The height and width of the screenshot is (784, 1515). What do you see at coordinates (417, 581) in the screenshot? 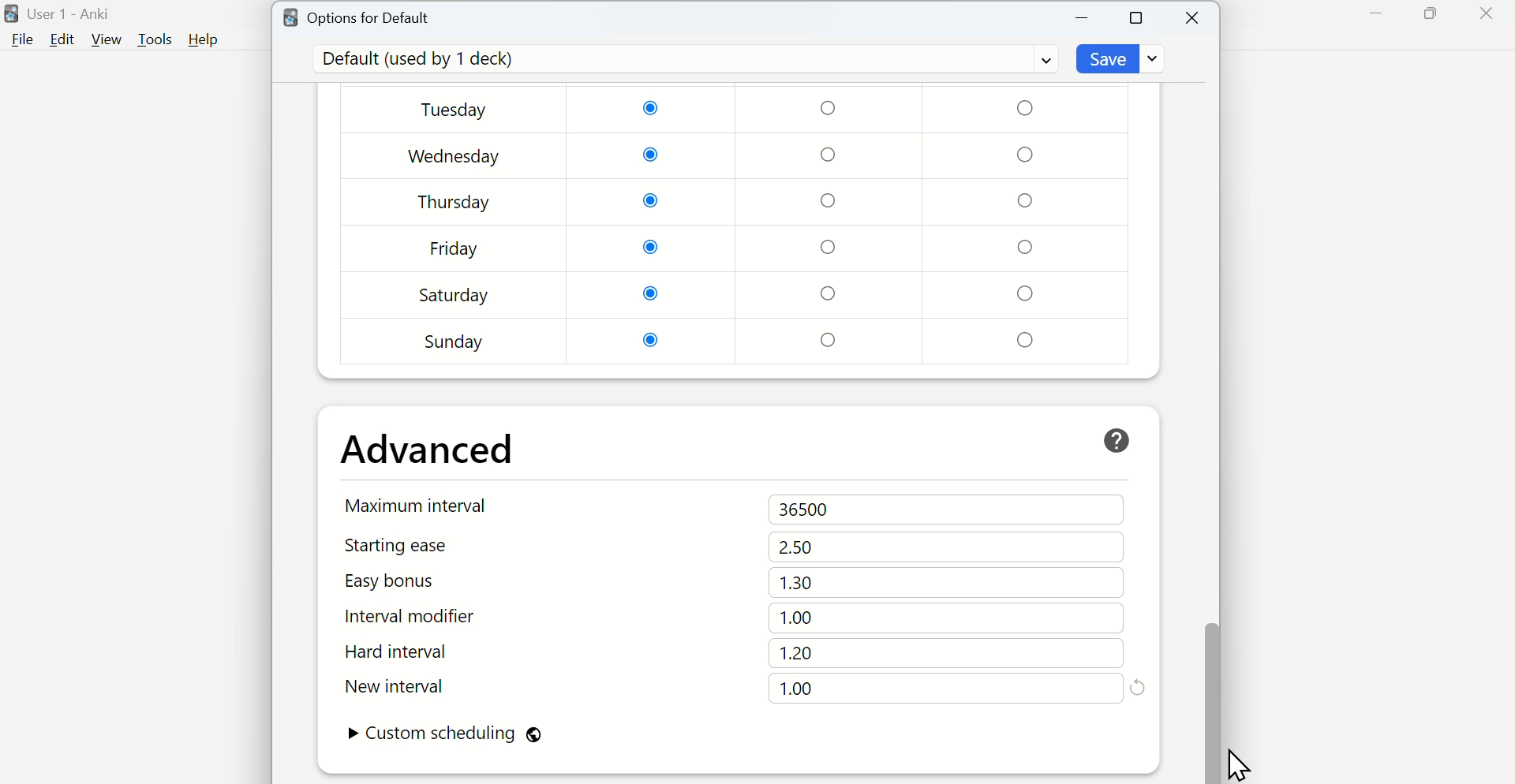
I see `Easy bonus` at bounding box center [417, 581].